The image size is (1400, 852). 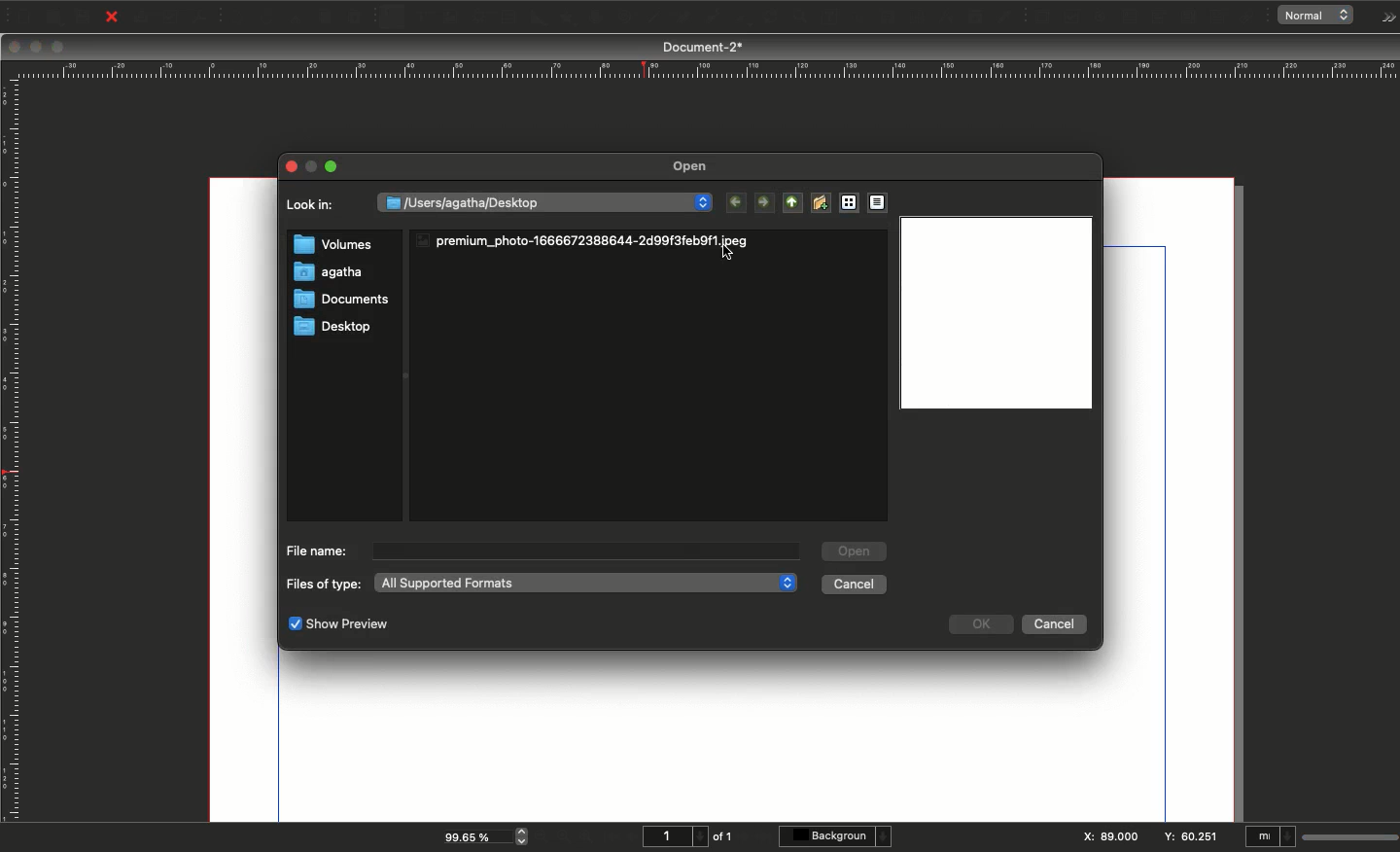 What do you see at coordinates (881, 202) in the screenshot?
I see `List` at bounding box center [881, 202].